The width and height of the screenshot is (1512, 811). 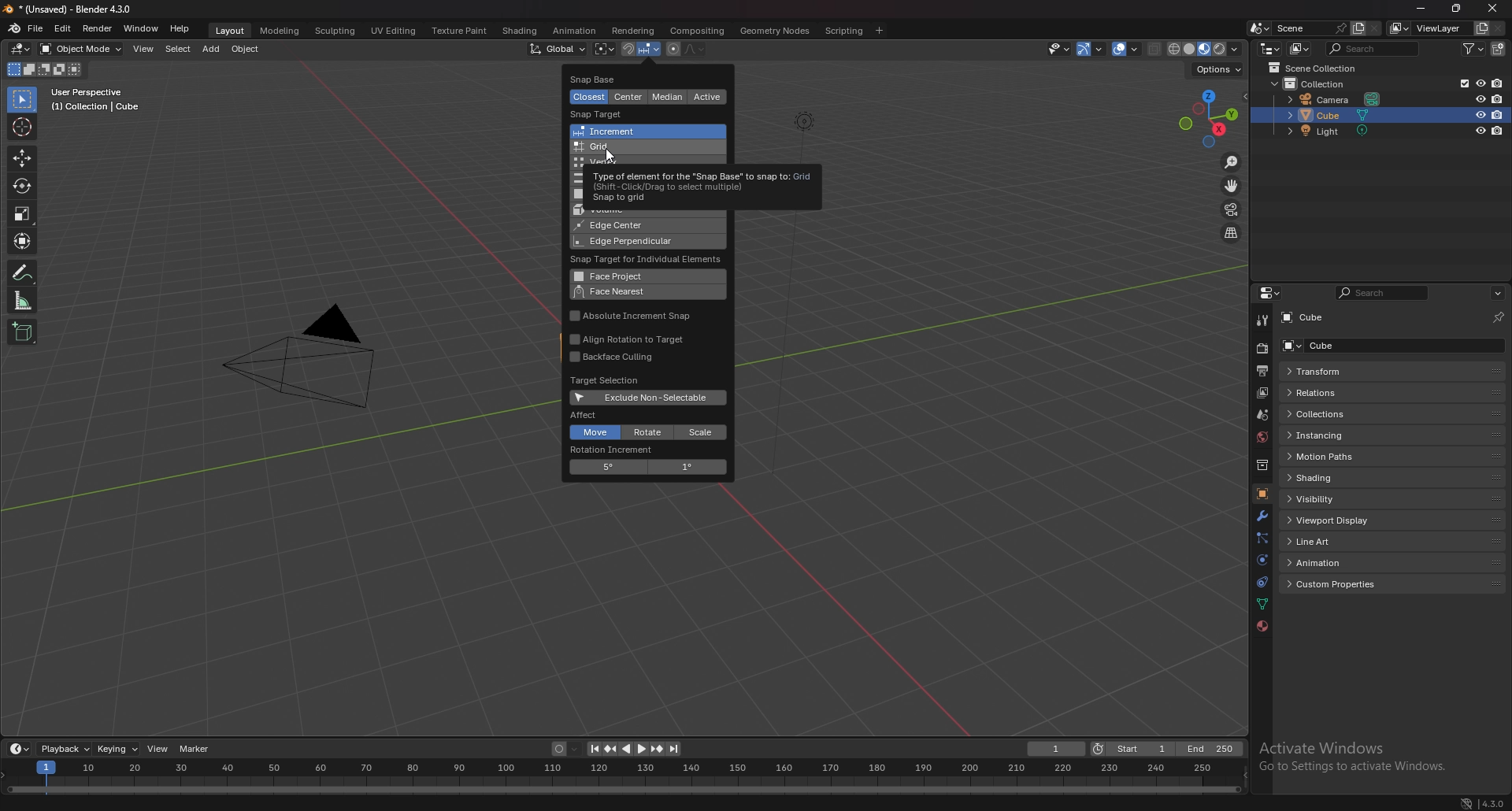 I want to click on keying, so click(x=117, y=749).